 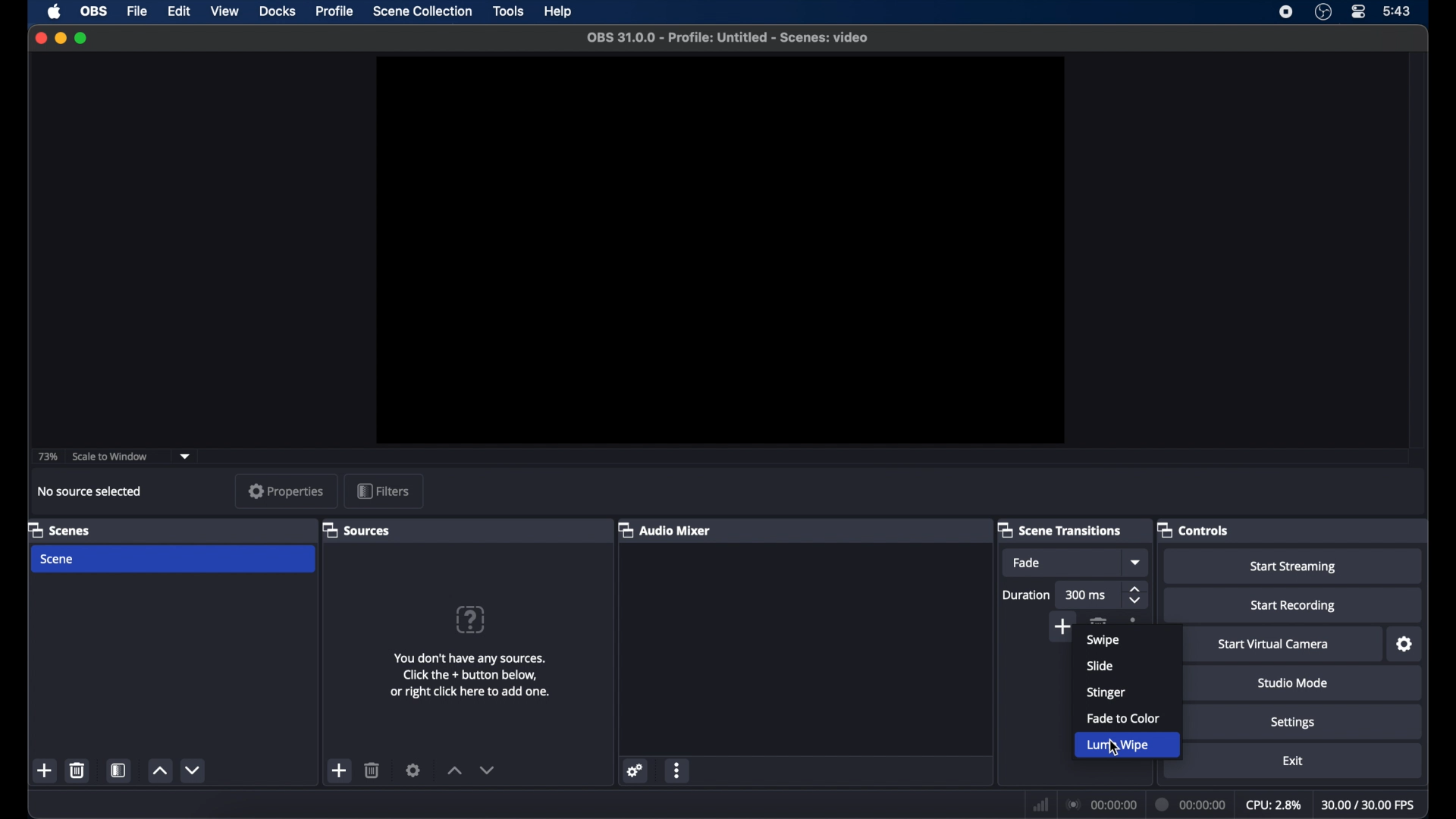 I want to click on increment, so click(x=162, y=770).